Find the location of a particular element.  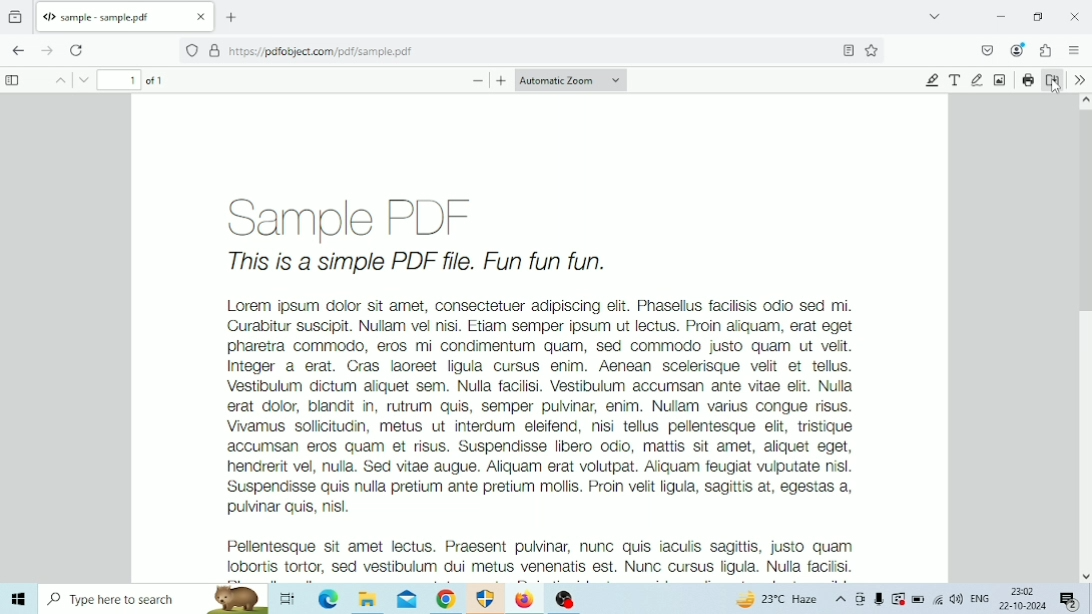

Total page number is located at coordinates (159, 80).